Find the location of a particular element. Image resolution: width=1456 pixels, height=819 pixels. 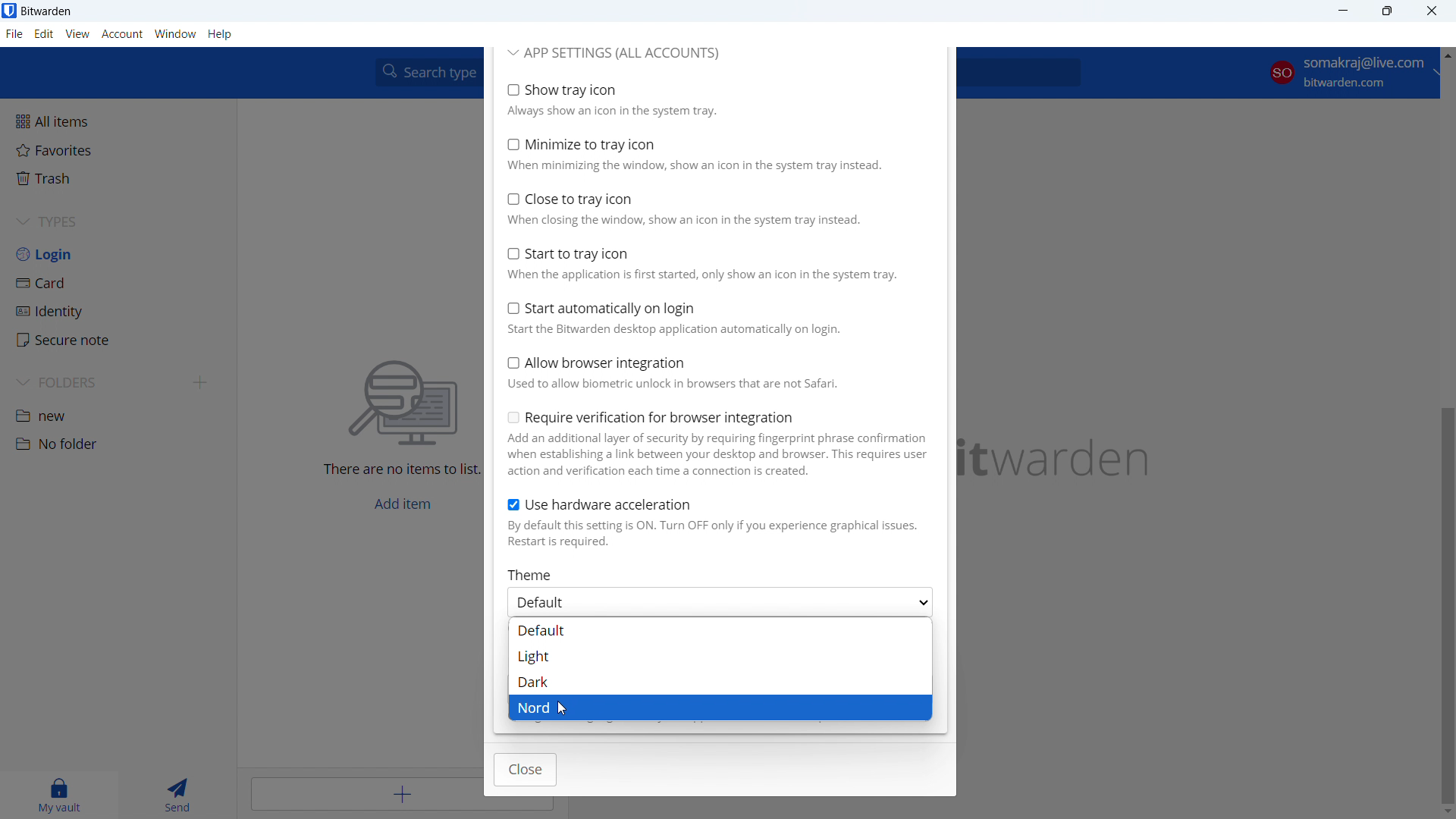

add item is located at coordinates (366, 792).